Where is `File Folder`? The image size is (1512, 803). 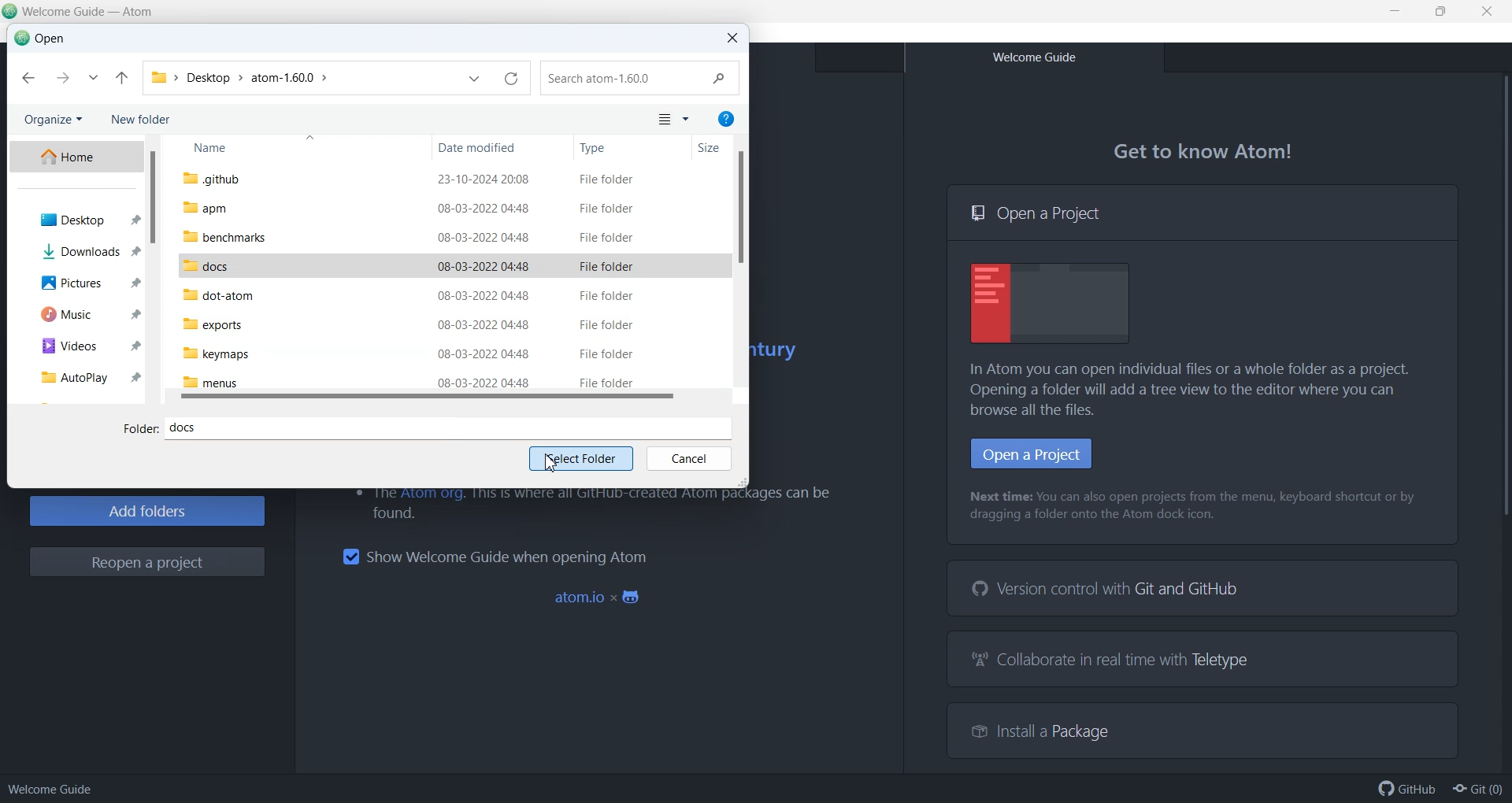 File Folder is located at coordinates (606, 382).